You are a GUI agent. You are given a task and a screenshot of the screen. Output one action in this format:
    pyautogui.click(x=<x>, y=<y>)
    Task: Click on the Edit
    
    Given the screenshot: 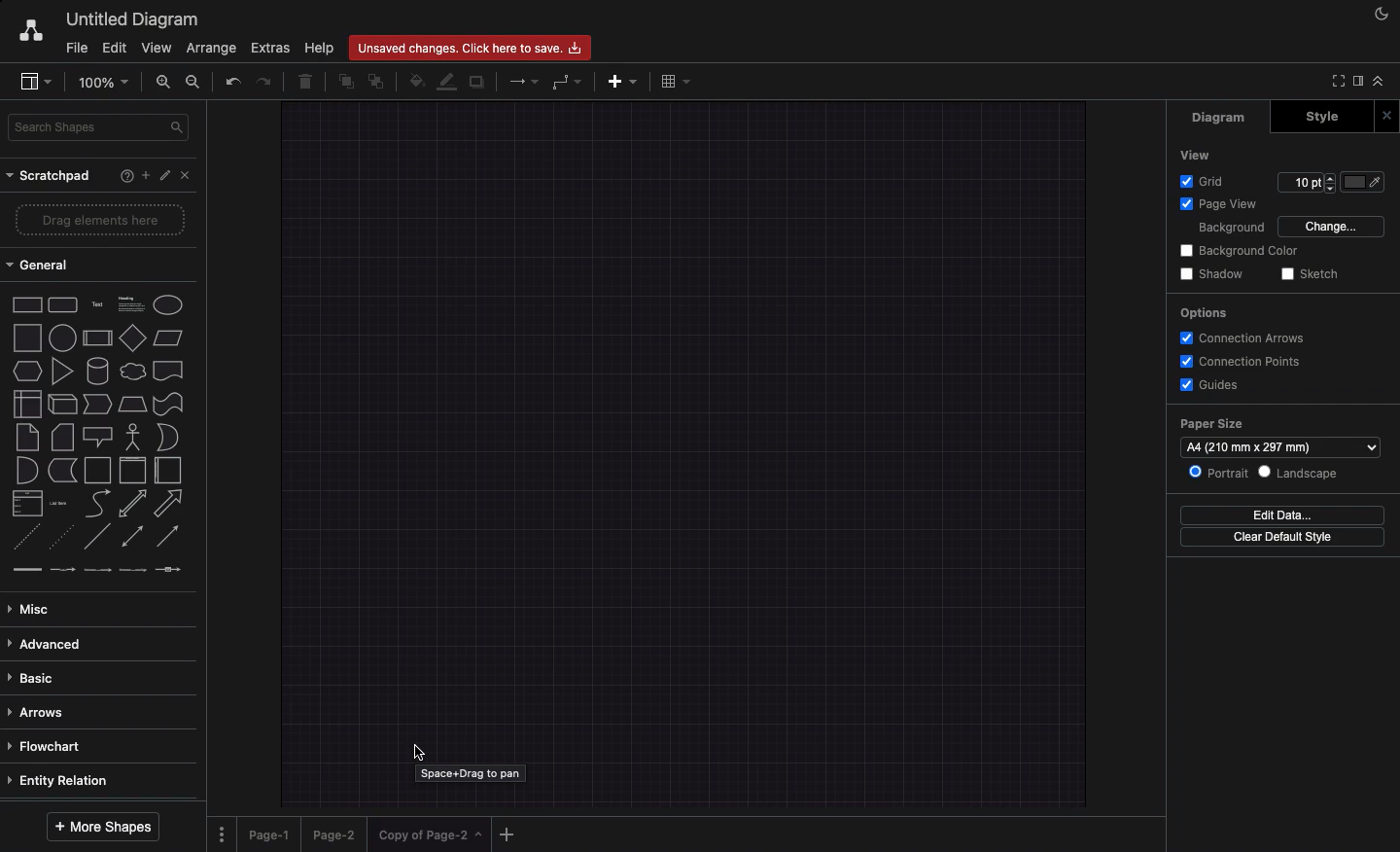 What is the action you would take?
    pyautogui.click(x=114, y=49)
    